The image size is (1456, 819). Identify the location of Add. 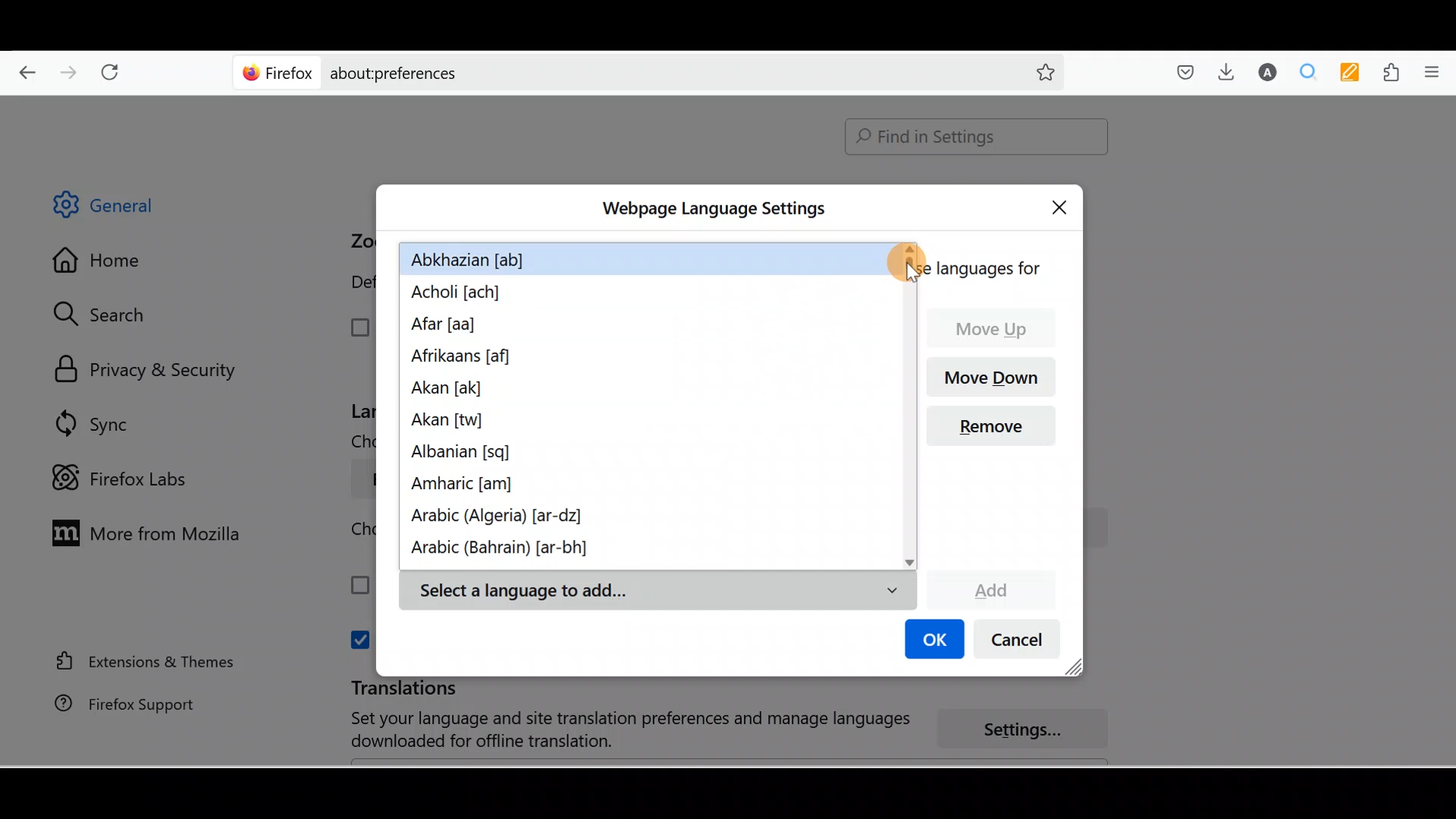
(990, 588).